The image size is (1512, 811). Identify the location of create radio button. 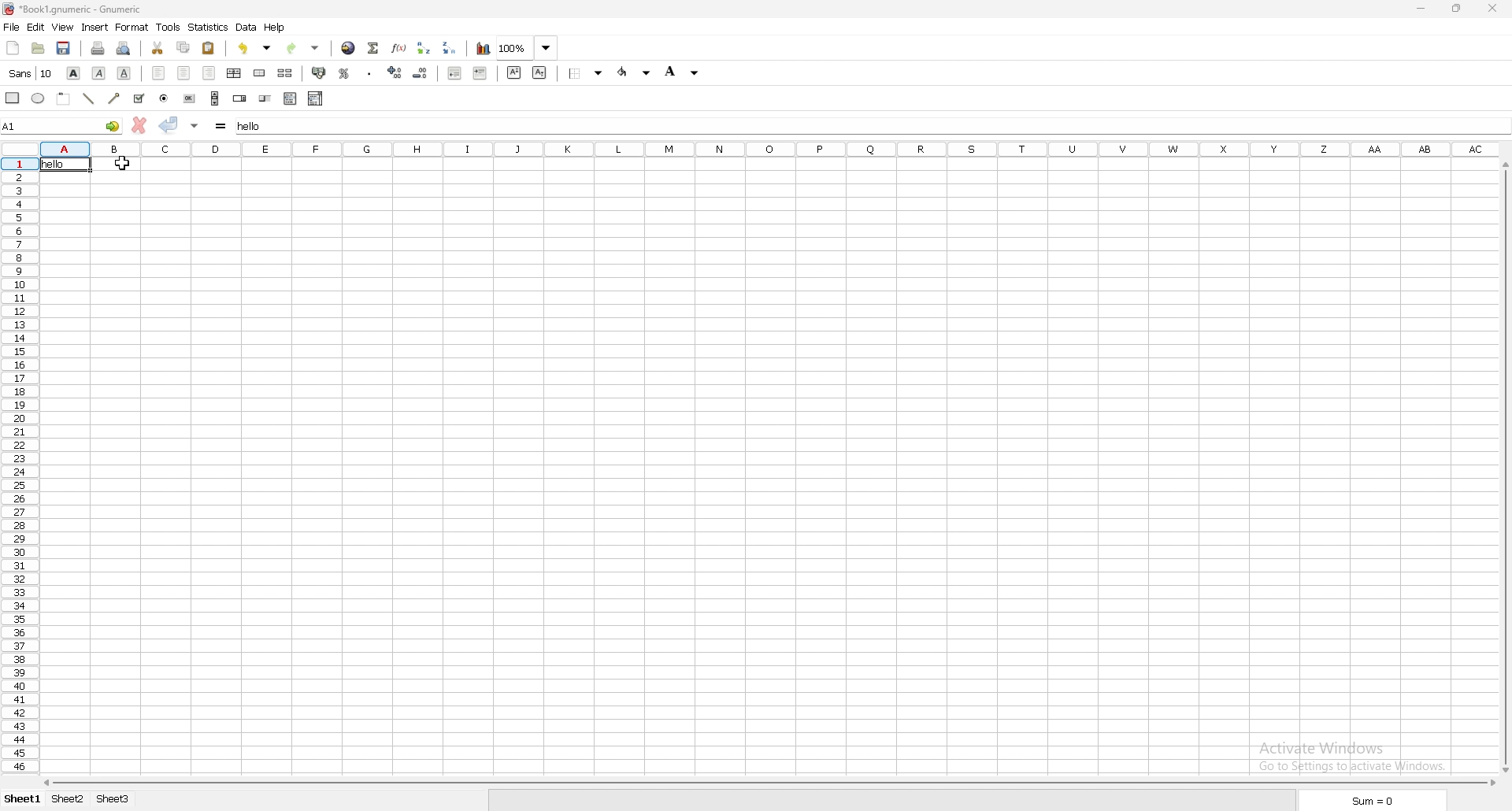
(165, 98).